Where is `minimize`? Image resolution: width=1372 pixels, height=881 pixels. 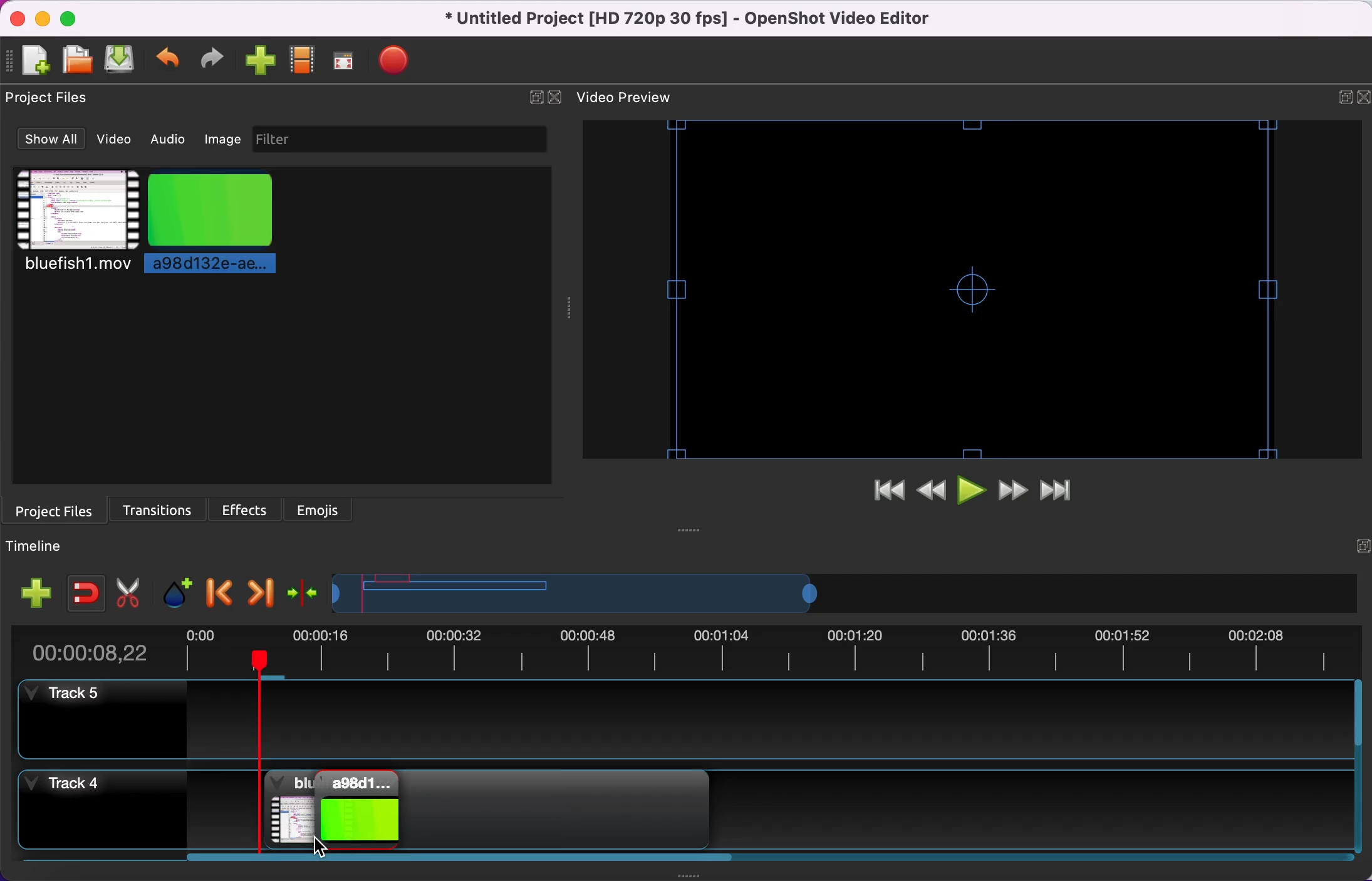 minimize is located at coordinates (42, 18).